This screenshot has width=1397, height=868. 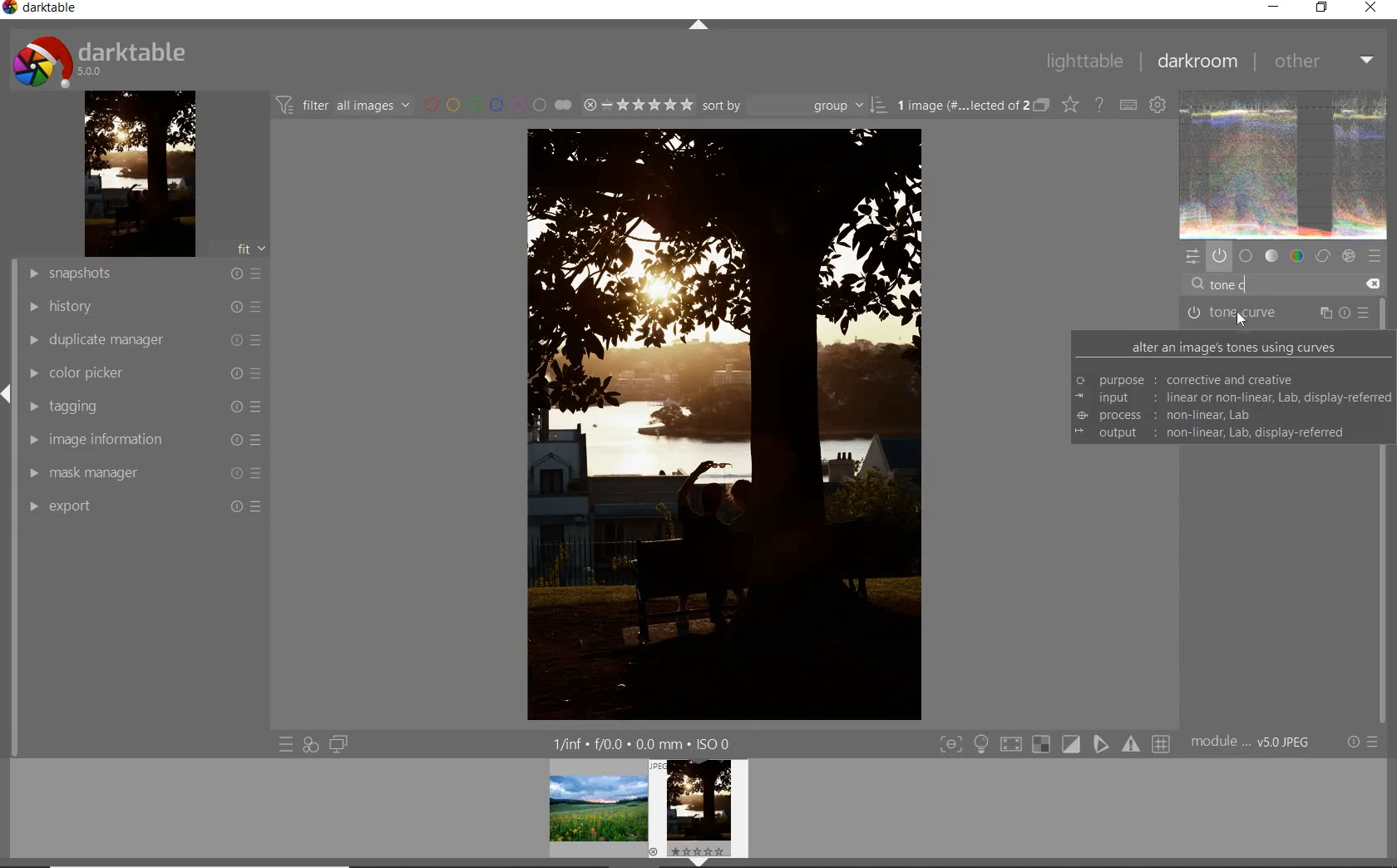 What do you see at coordinates (1253, 742) in the screenshot?
I see `module... v5.0 JPEG` at bounding box center [1253, 742].